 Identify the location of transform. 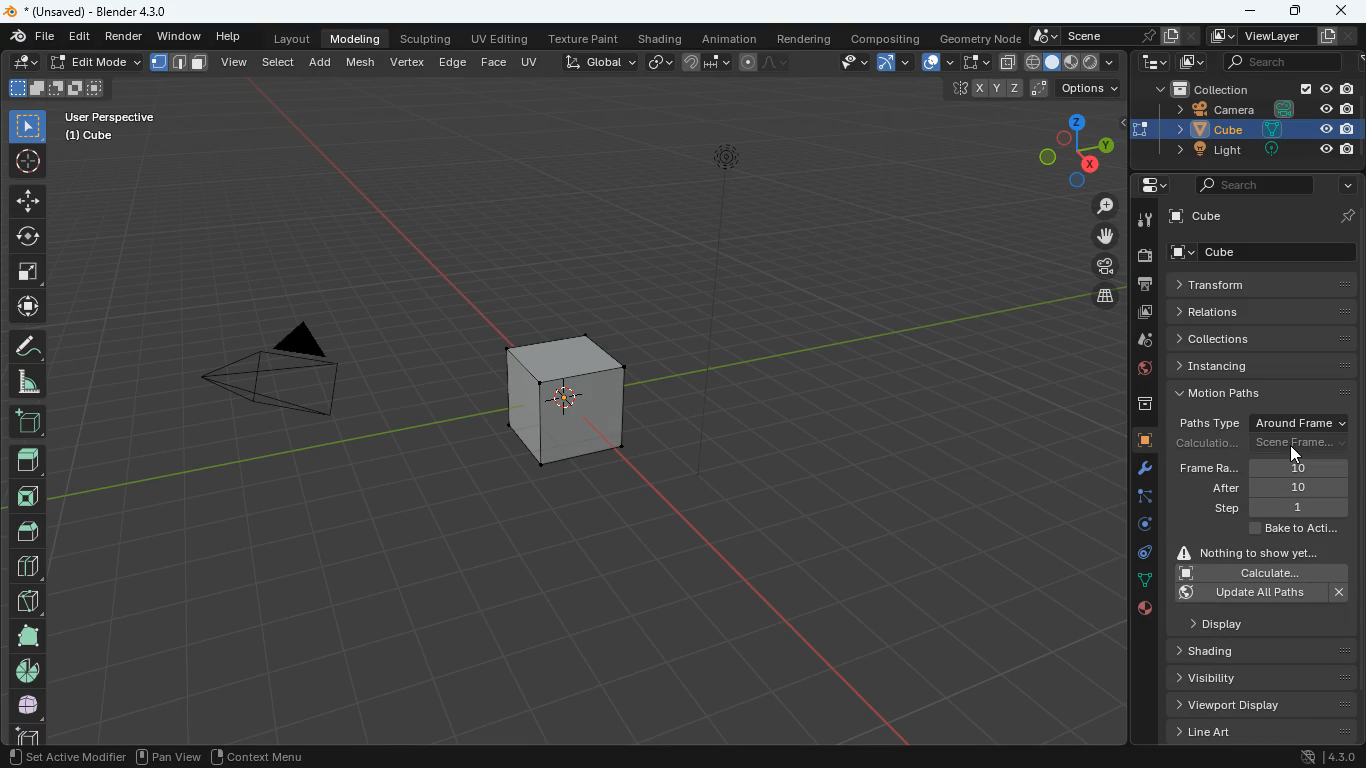
(1263, 285).